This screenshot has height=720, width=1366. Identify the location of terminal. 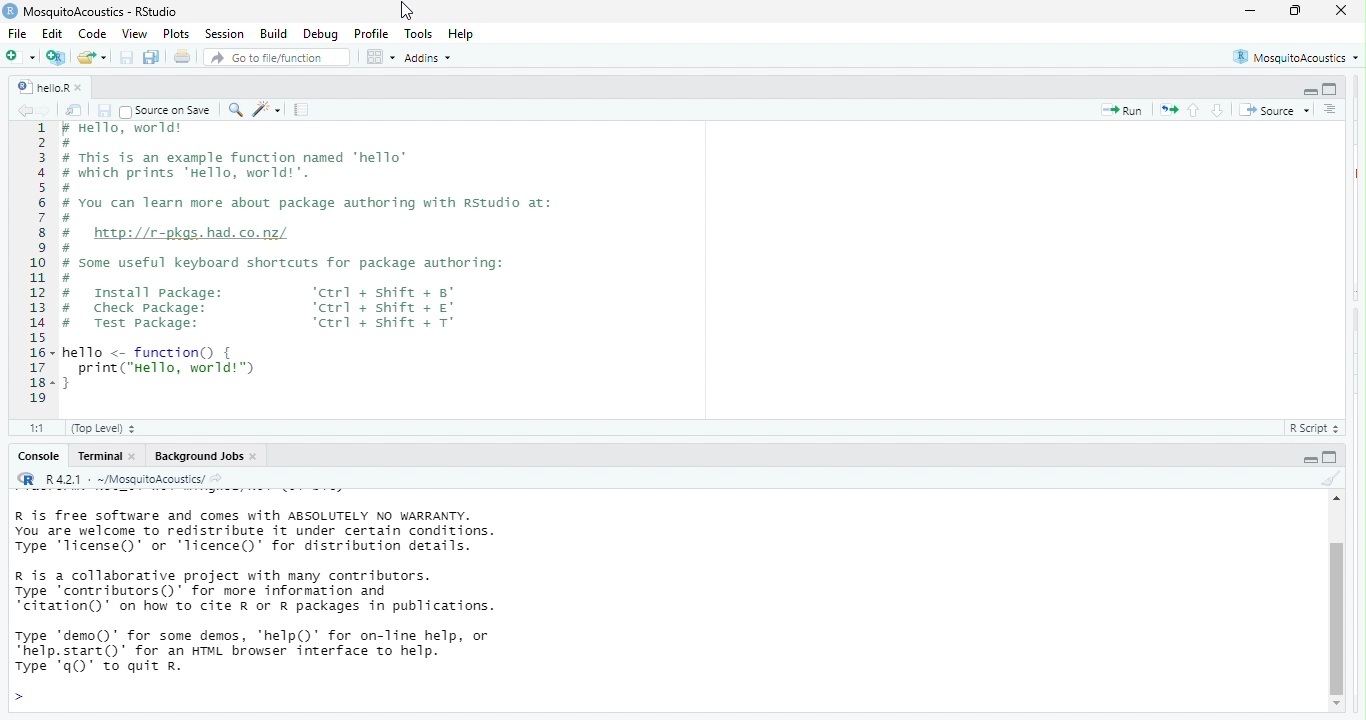
(100, 459).